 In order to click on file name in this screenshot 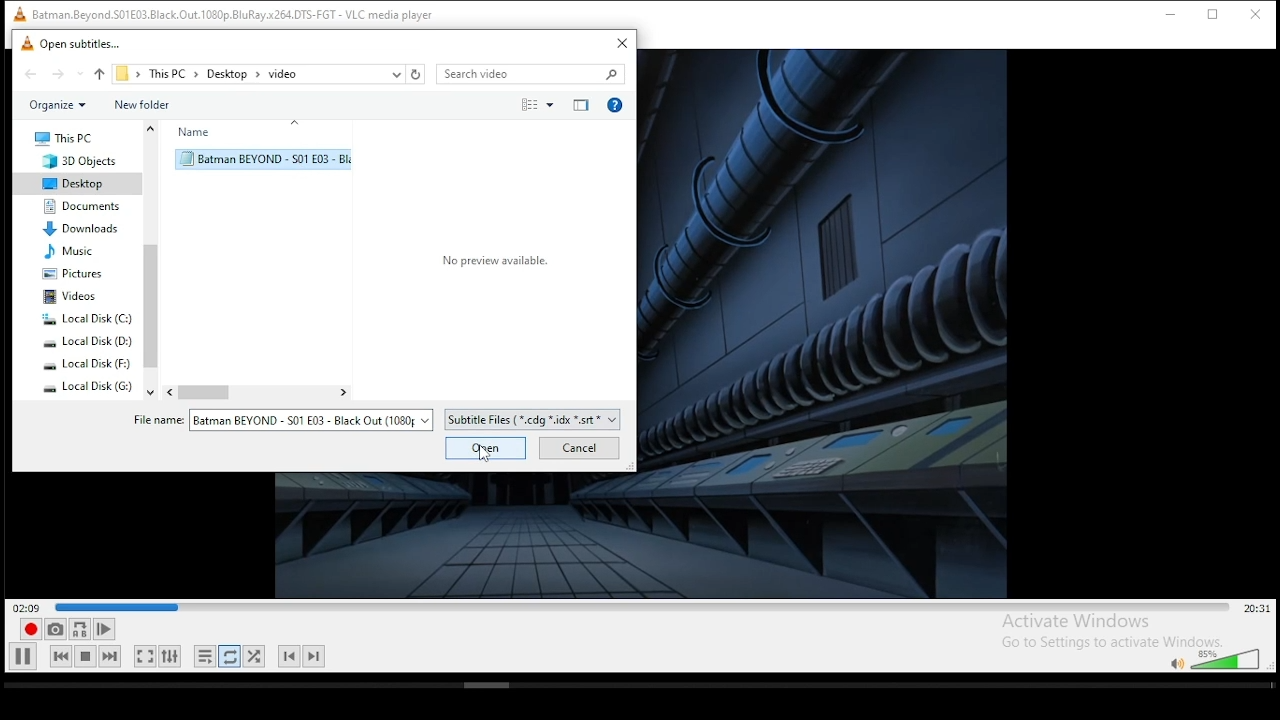, I will do `click(156, 421)`.